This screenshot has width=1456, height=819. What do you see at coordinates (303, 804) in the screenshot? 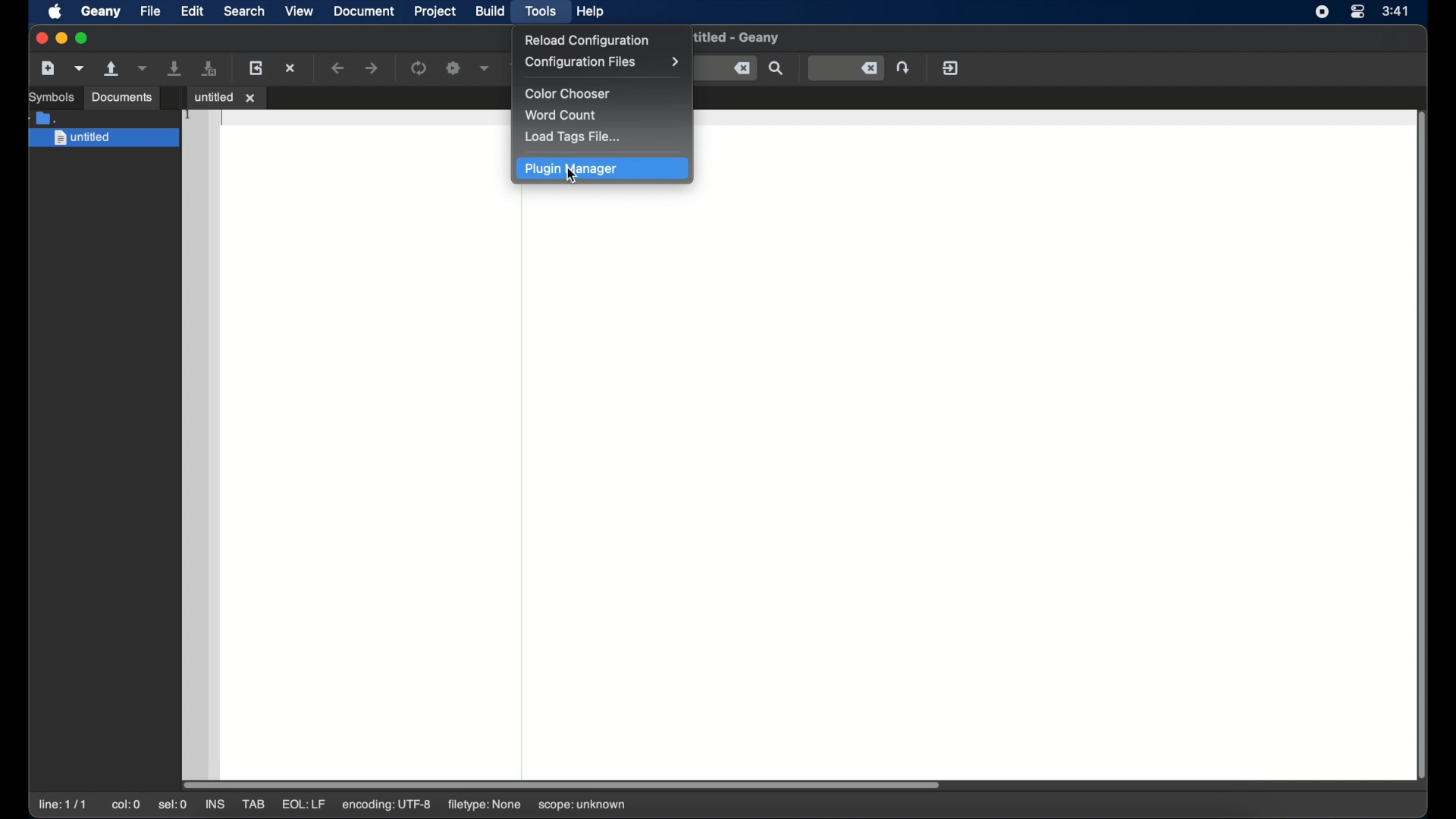
I see `eql: lf` at bounding box center [303, 804].